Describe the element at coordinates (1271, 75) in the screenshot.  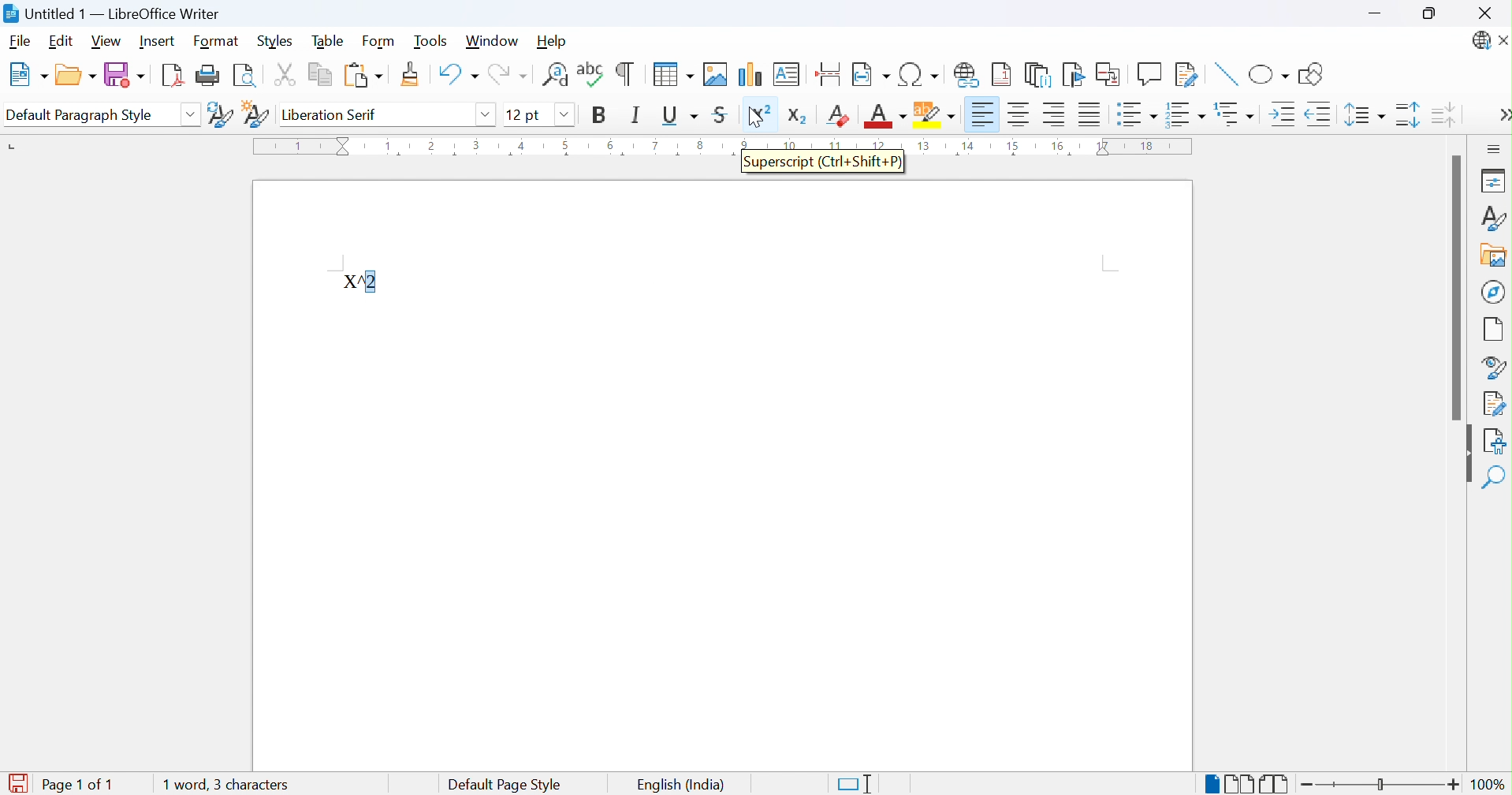
I see `Basic shapes` at that location.